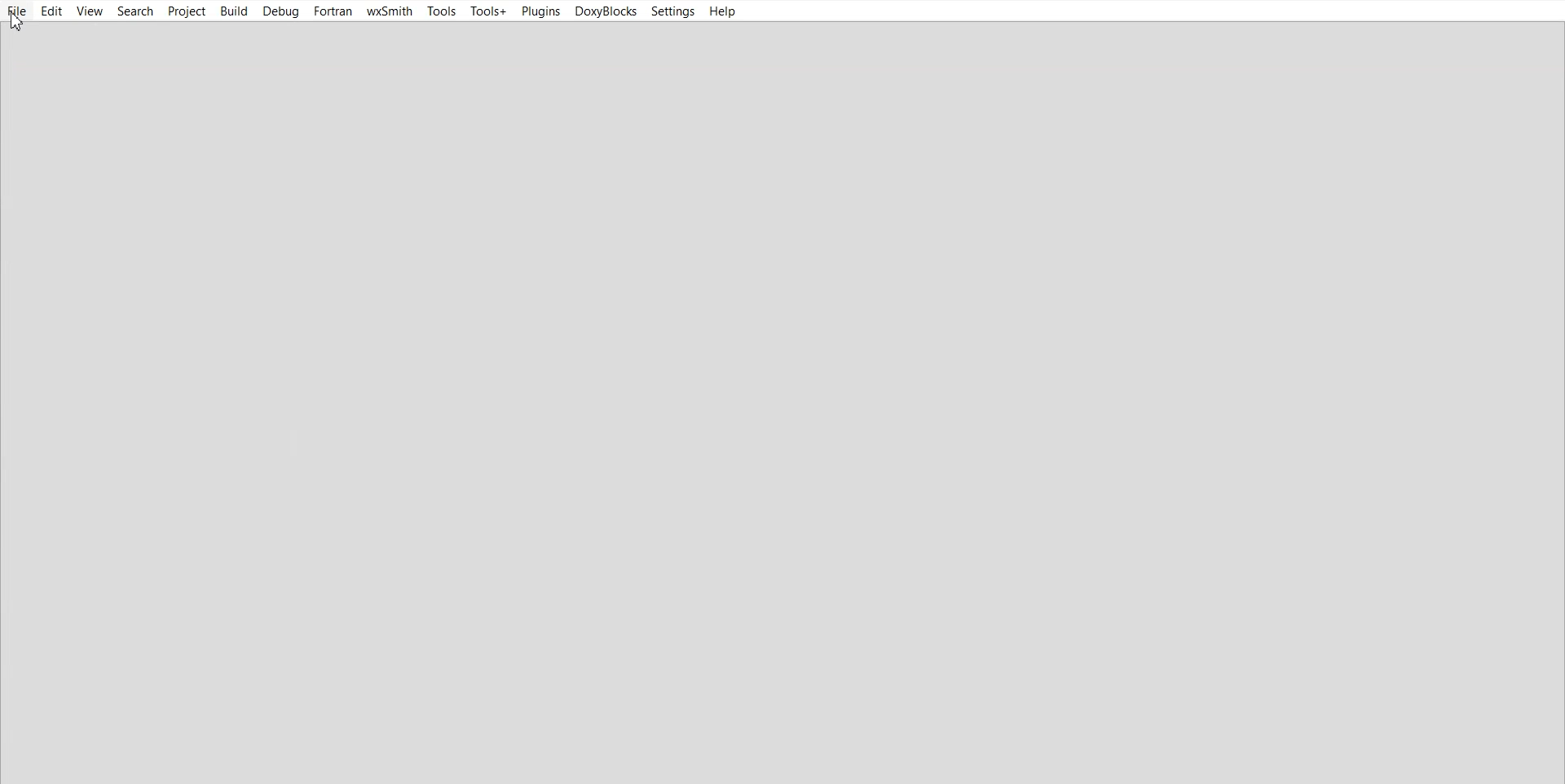  What do you see at coordinates (540, 11) in the screenshot?
I see `Plugins` at bounding box center [540, 11].